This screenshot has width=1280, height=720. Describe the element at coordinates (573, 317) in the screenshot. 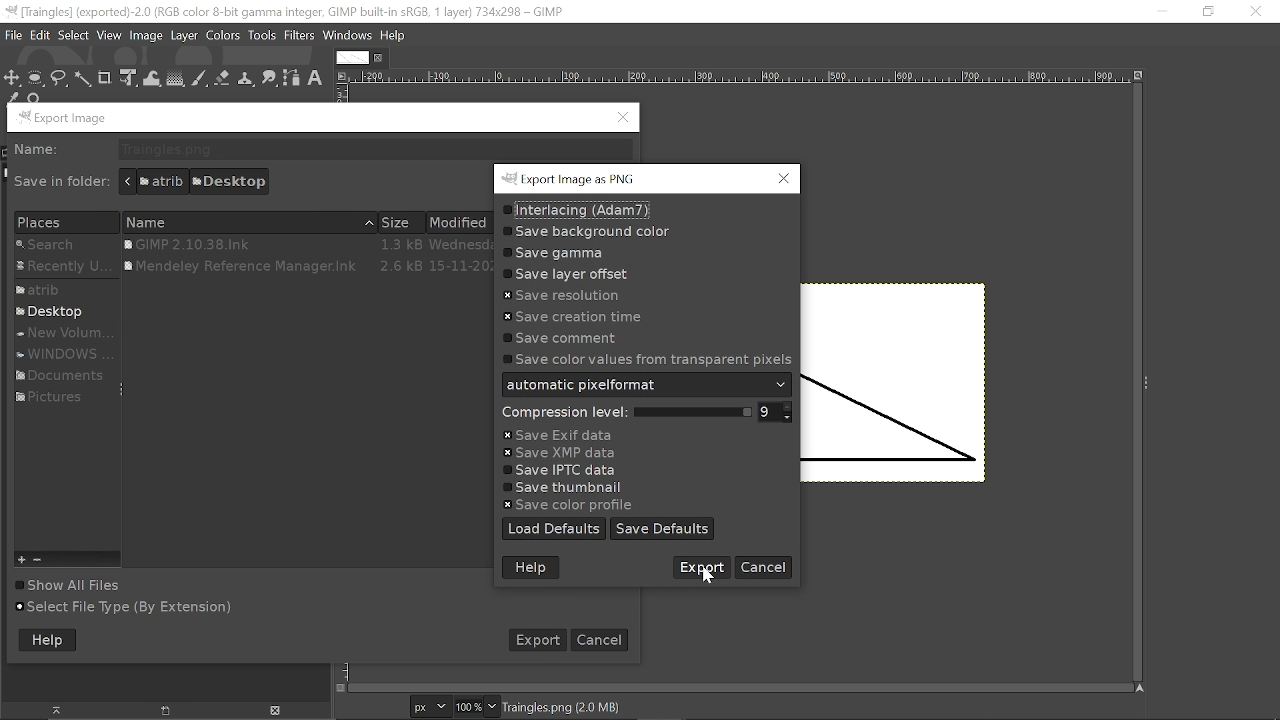

I see `Save creation time` at that location.